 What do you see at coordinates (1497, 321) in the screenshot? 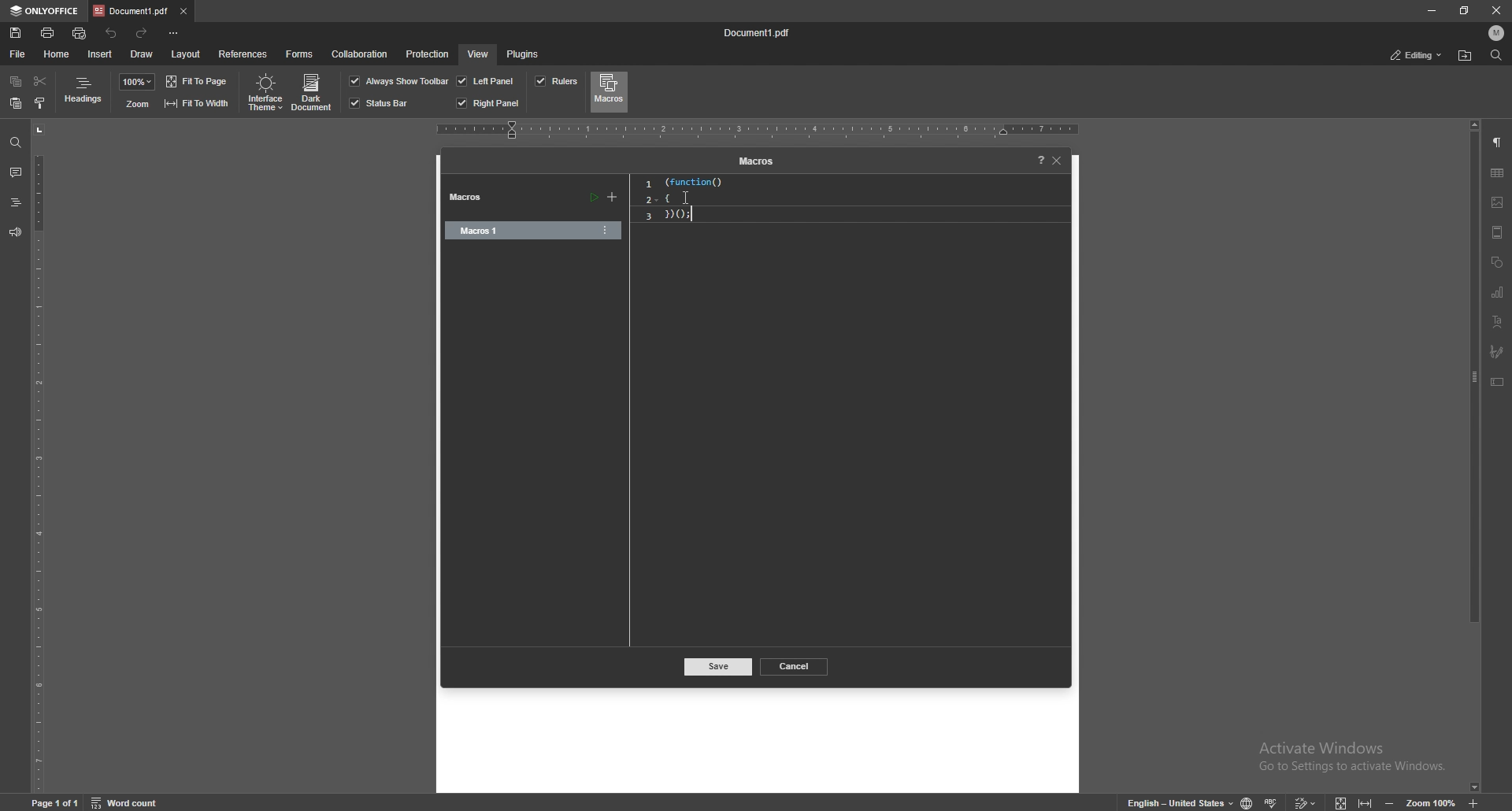
I see `text art` at bounding box center [1497, 321].